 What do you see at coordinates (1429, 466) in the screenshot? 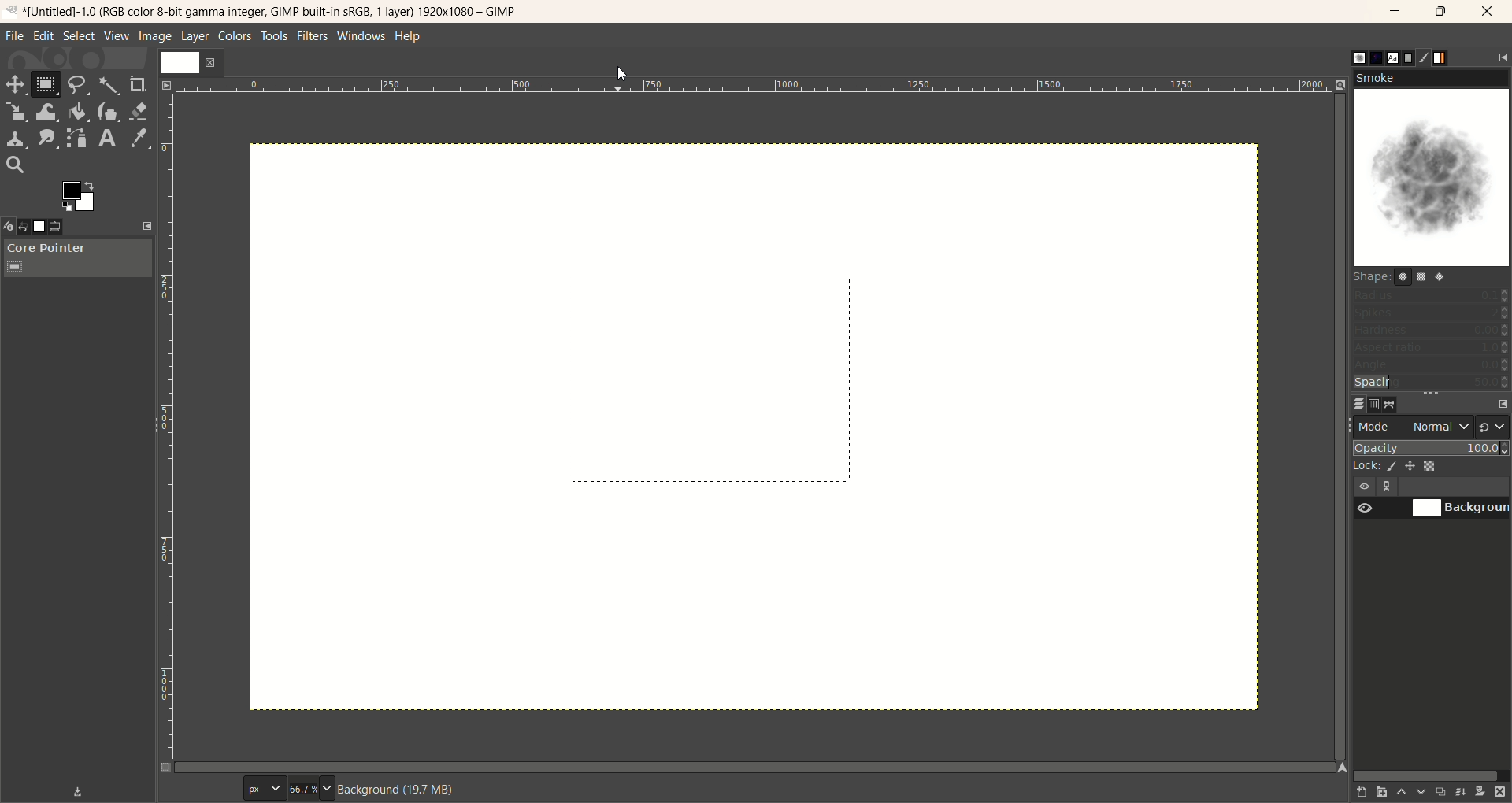
I see `lock alpha channel` at bounding box center [1429, 466].